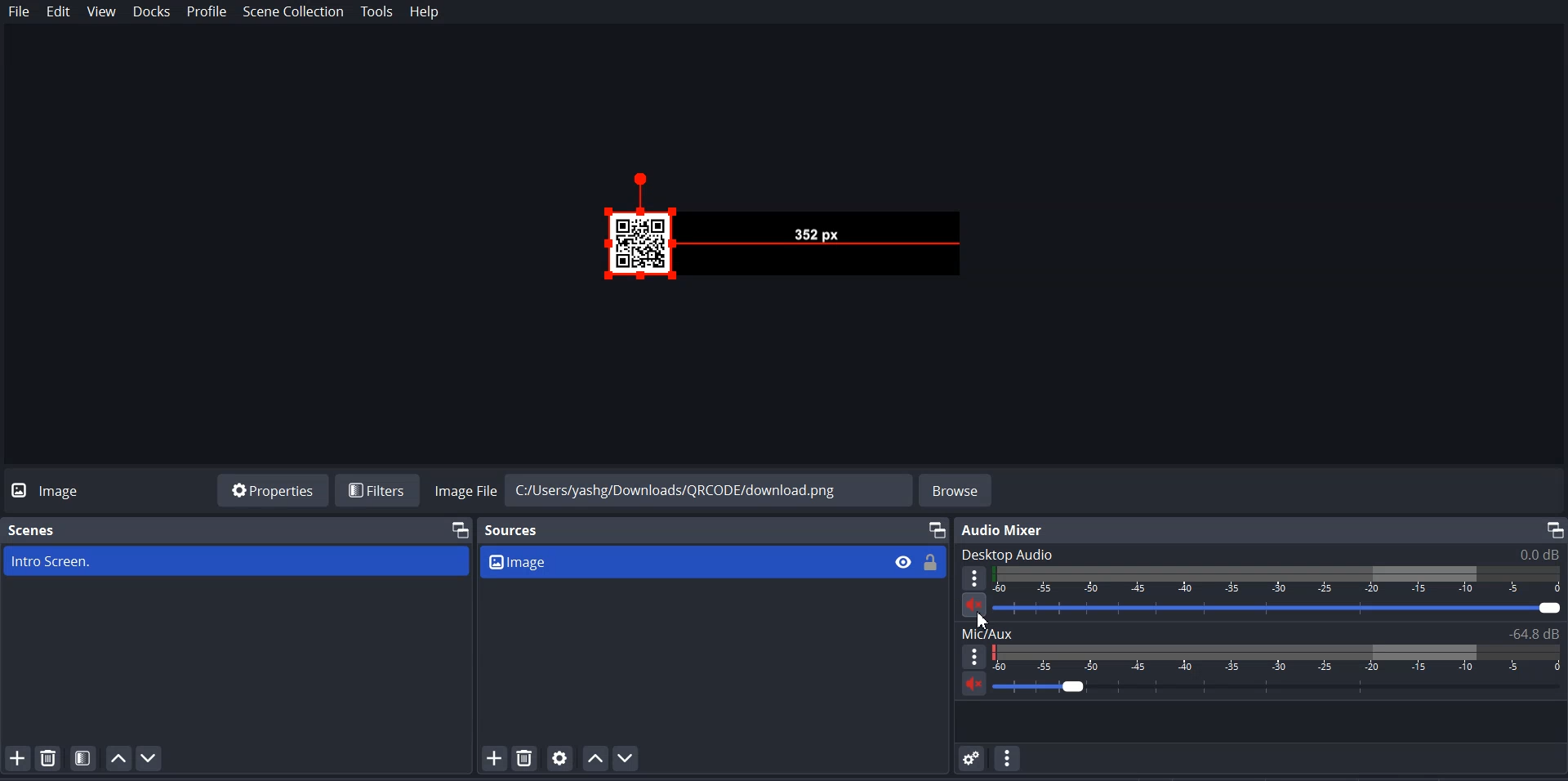 This screenshot has height=781, width=1568. Describe the element at coordinates (1280, 580) in the screenshot. I see `Volume Indicators` at that location.